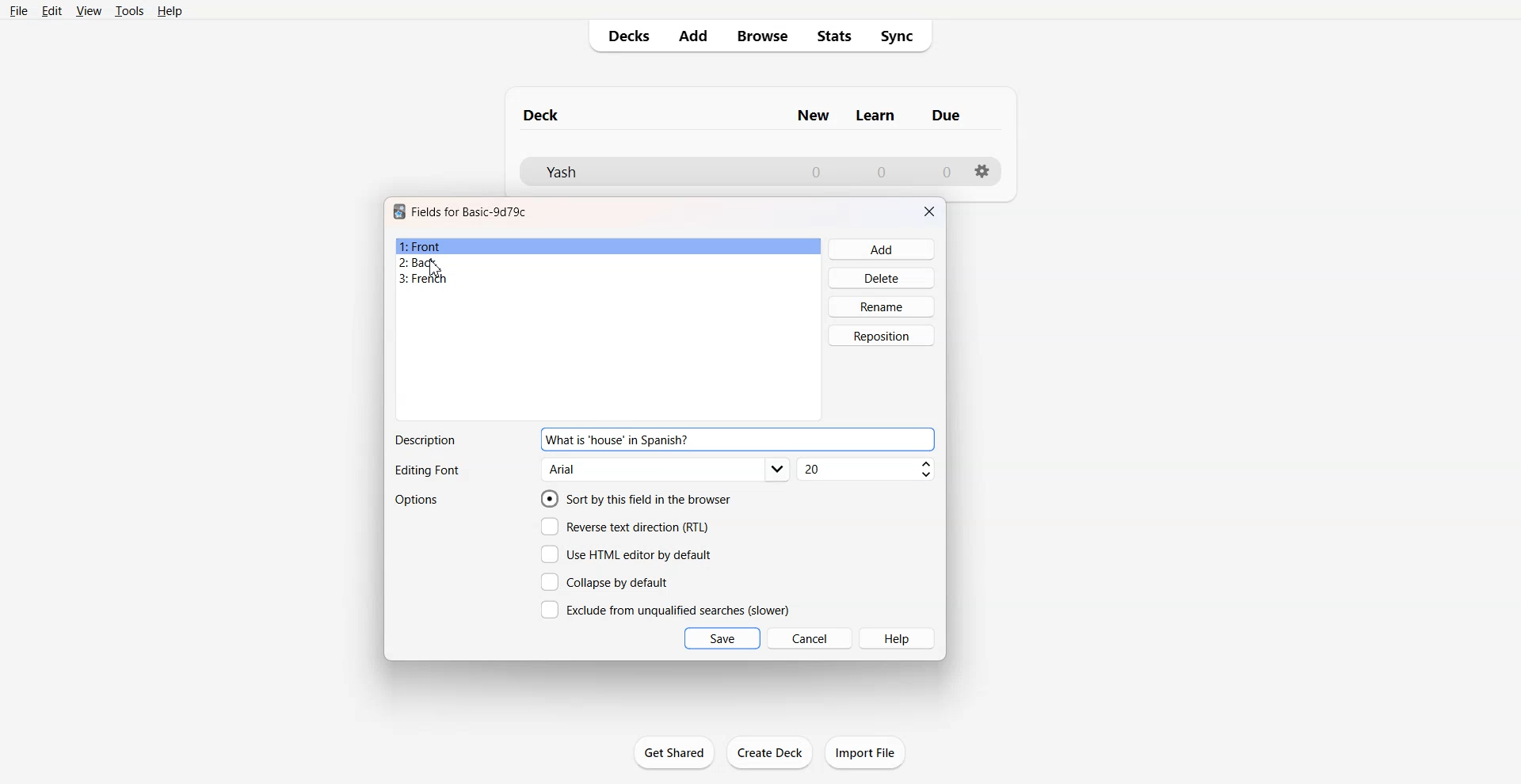  What do you see at coordinates (674, 752) in the screenshot?
I see `Get Shared` at bounding box center [674, 752].